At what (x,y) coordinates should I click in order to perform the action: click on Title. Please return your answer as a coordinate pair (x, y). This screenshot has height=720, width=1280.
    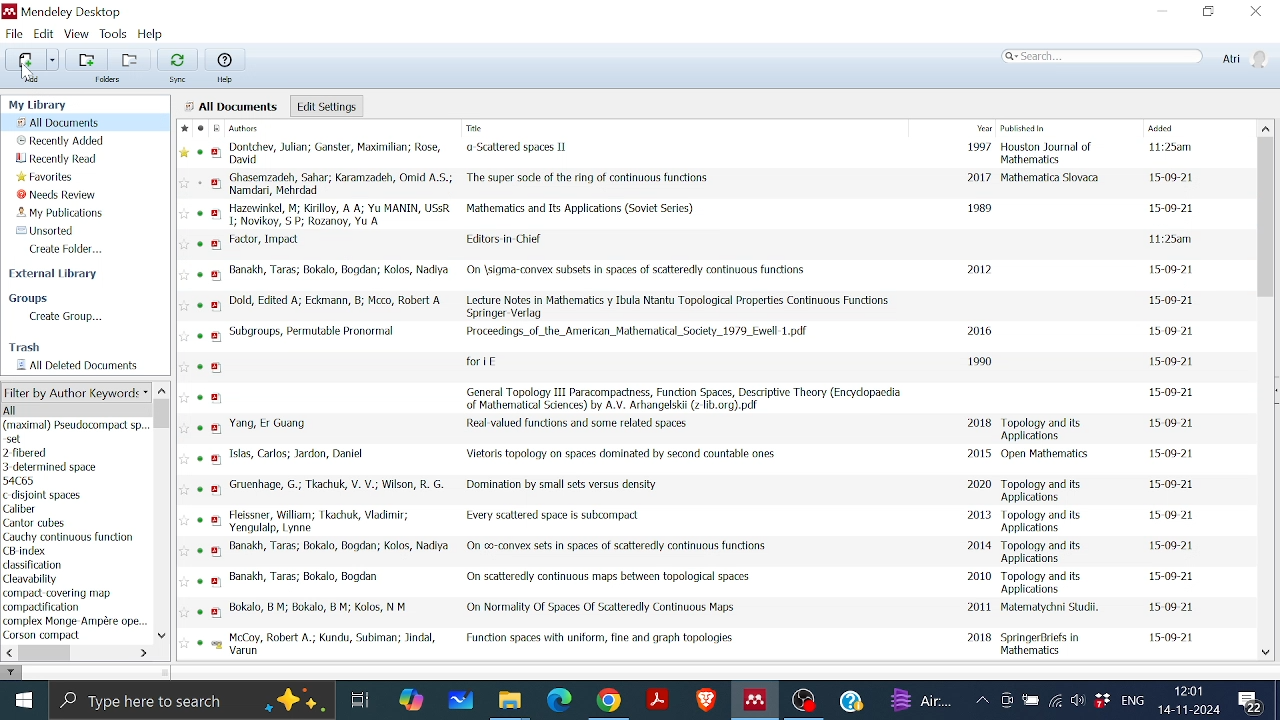
    Looking at the image, I should click on (508, 240).